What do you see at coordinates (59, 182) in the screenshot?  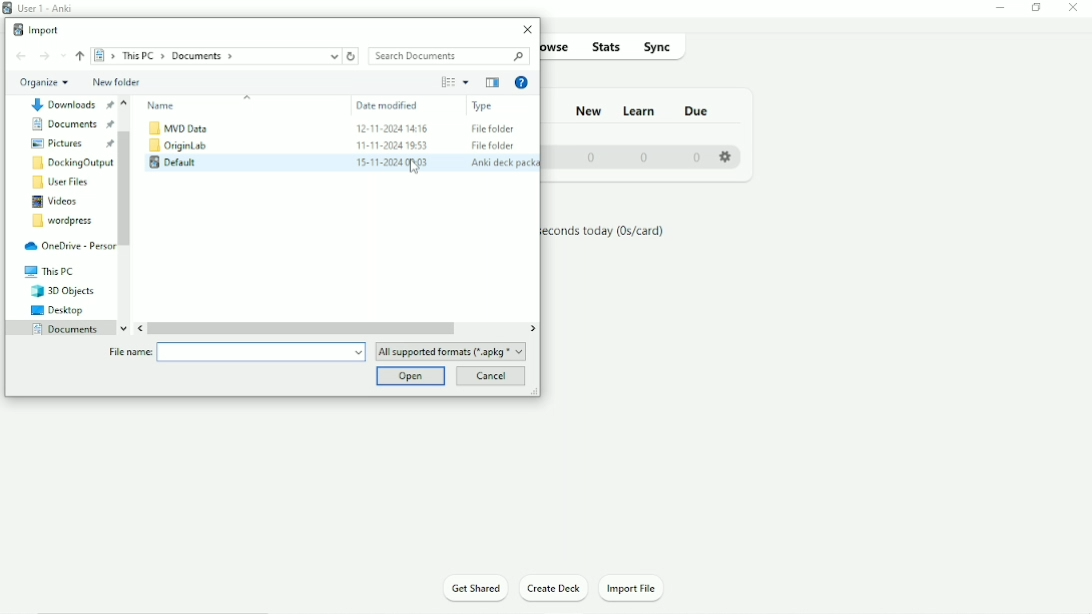 I see `User Files` at bounding box center [59, 182].